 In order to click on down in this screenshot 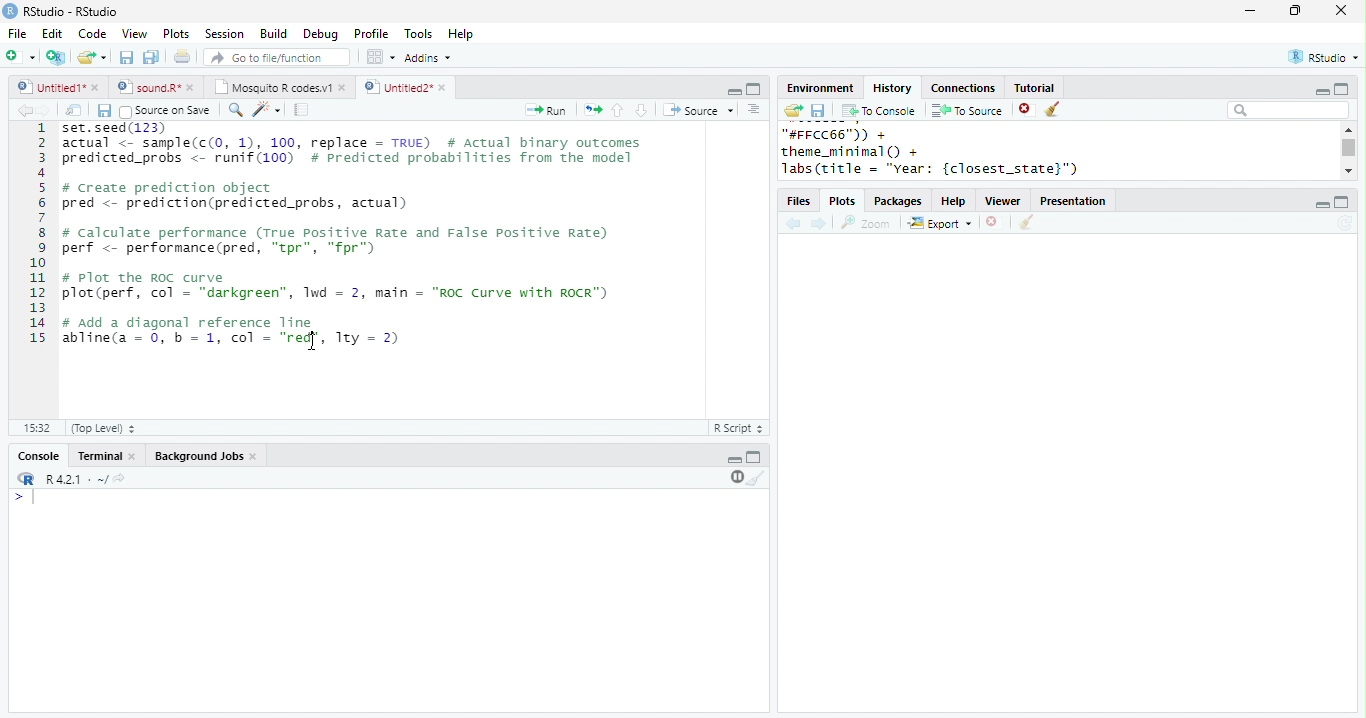, I will do `click(640, 110)`.